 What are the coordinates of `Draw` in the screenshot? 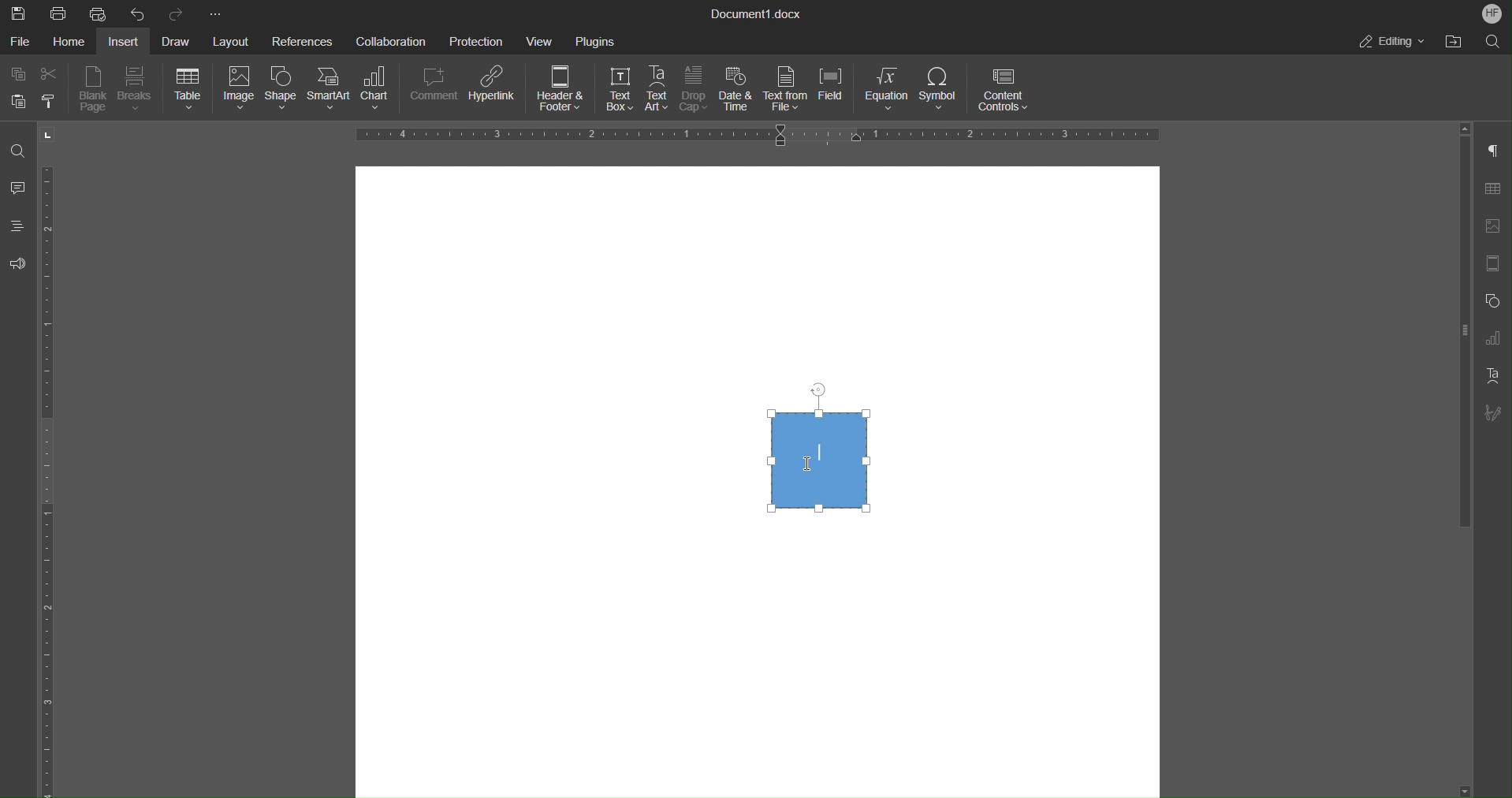 It's located at (180, 40).